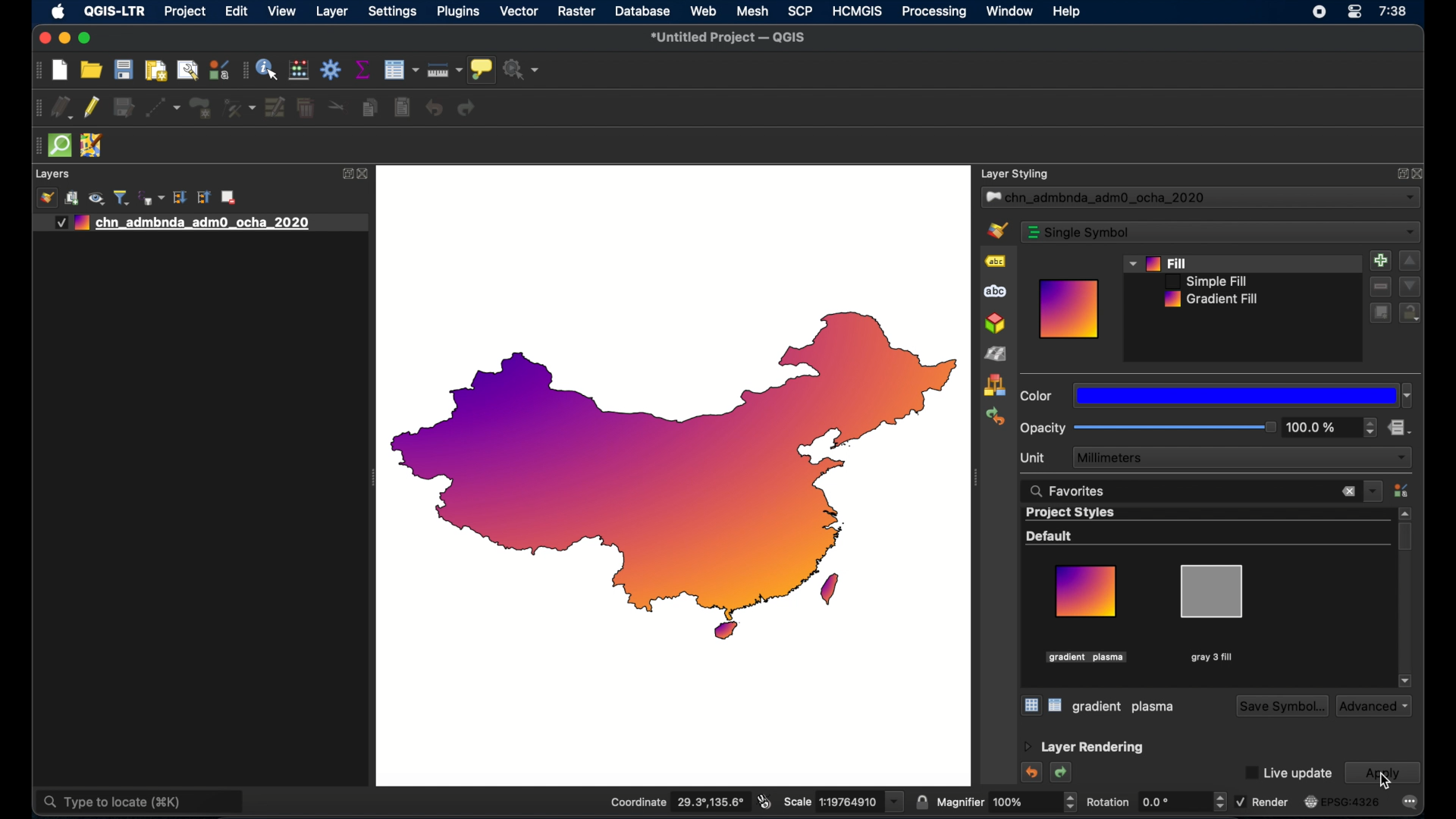  What do you see at coordinates (460, 11) in the screenshot?
I see `plugins` at bounding box center [460, 11].